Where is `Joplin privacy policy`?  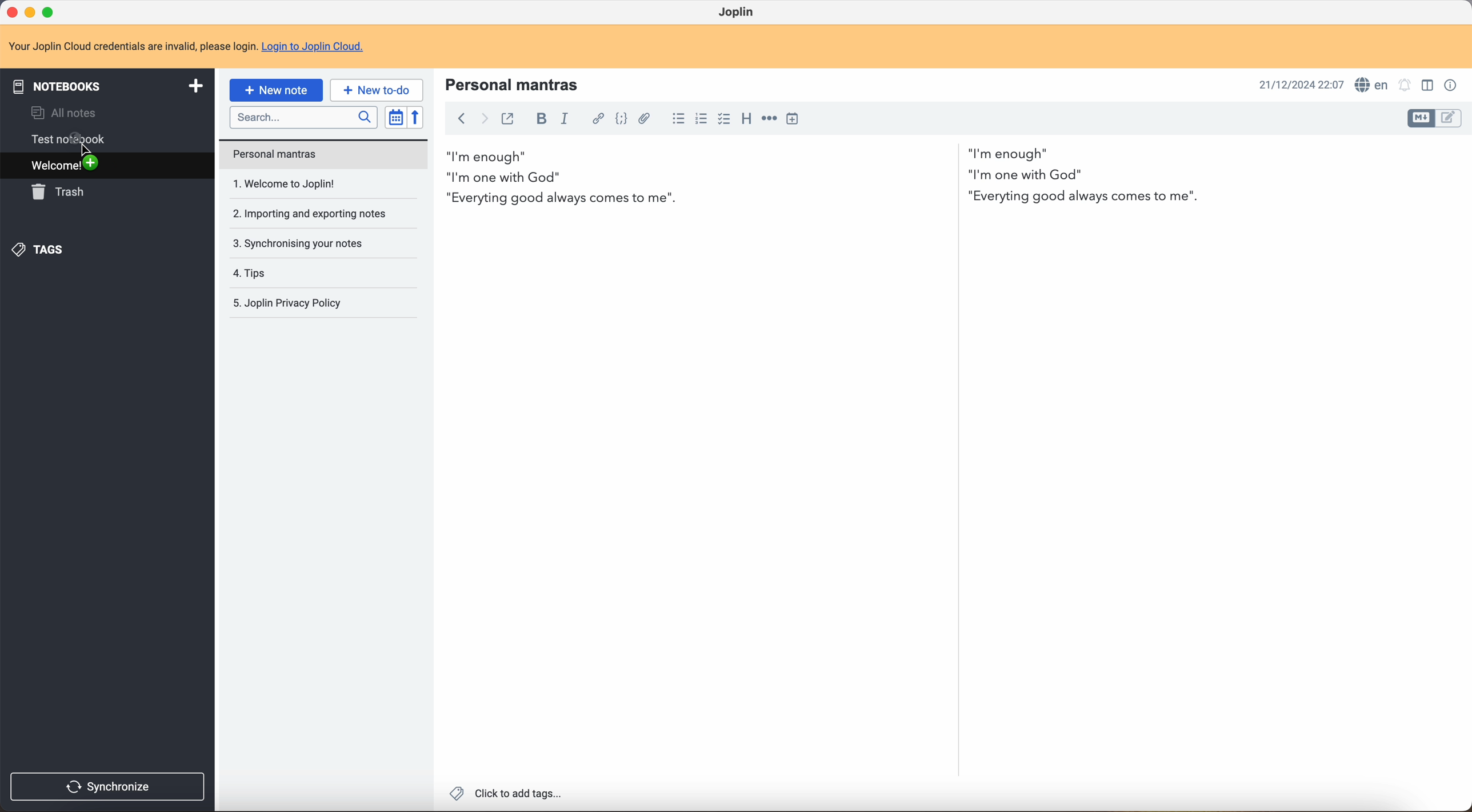 Joplin privacy policy is located at coordinates (290, 303).